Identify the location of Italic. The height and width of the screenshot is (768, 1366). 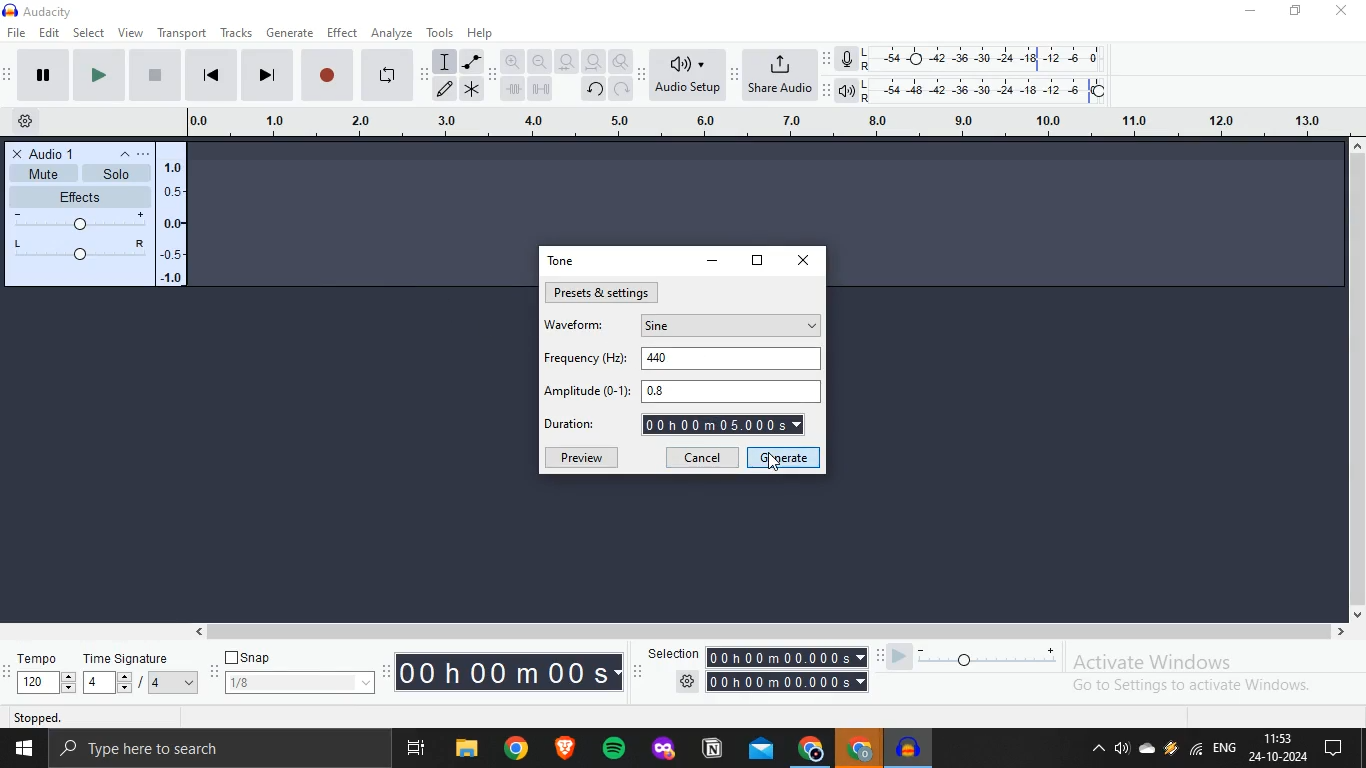
(473, 61).